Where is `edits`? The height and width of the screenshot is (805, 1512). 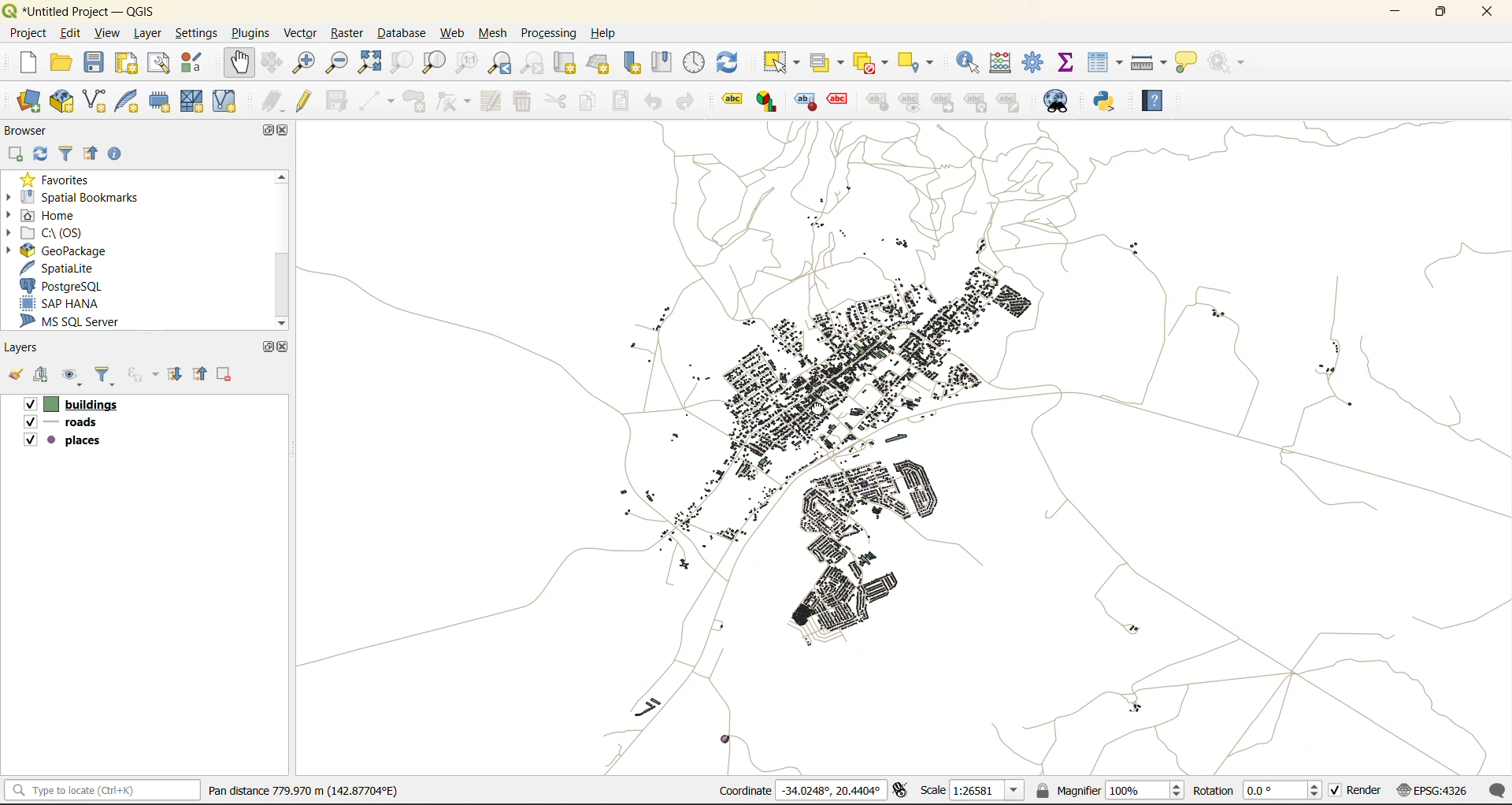
edits is located at coordinates (272, 99).